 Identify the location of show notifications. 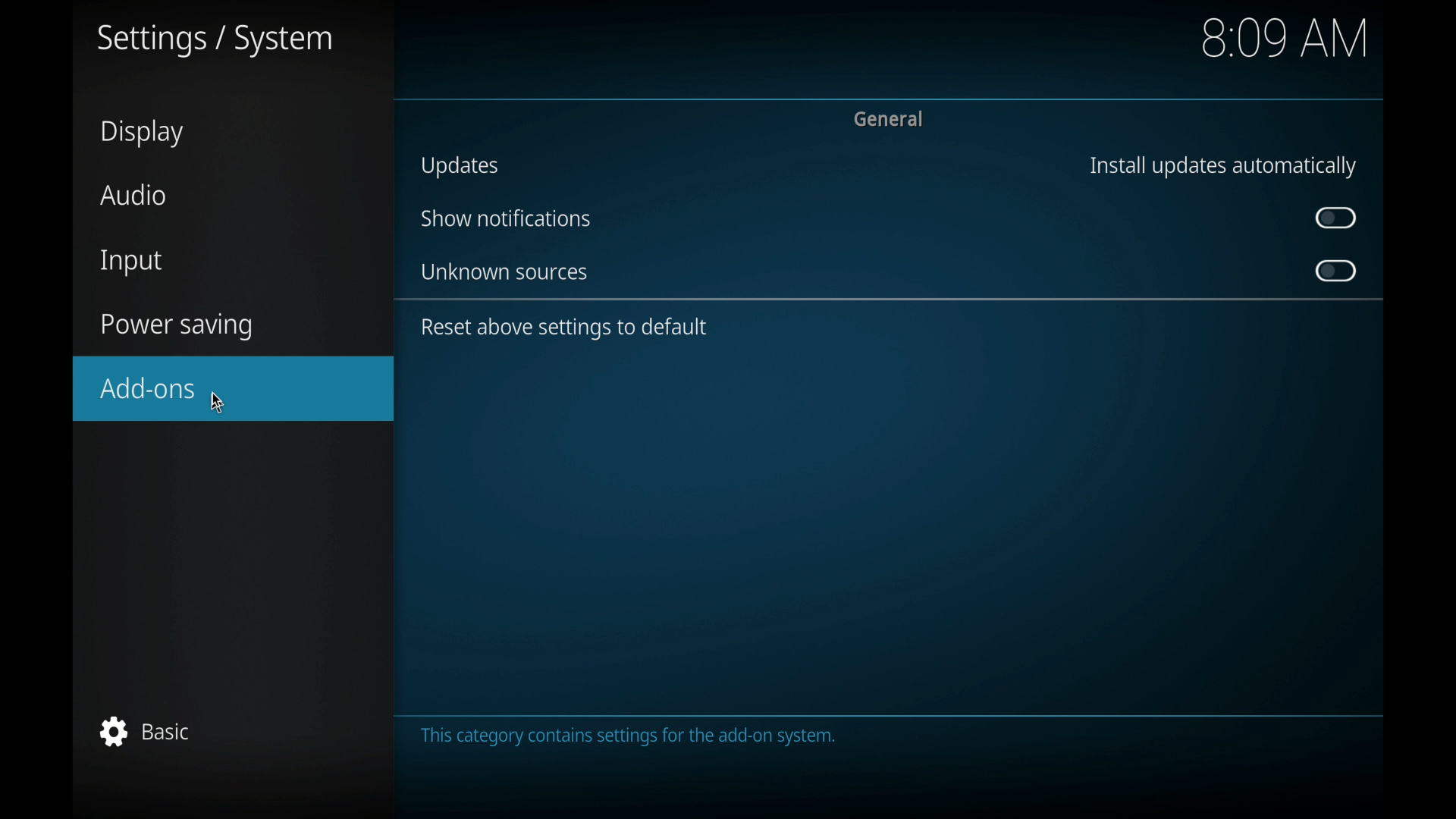
(505, 218).